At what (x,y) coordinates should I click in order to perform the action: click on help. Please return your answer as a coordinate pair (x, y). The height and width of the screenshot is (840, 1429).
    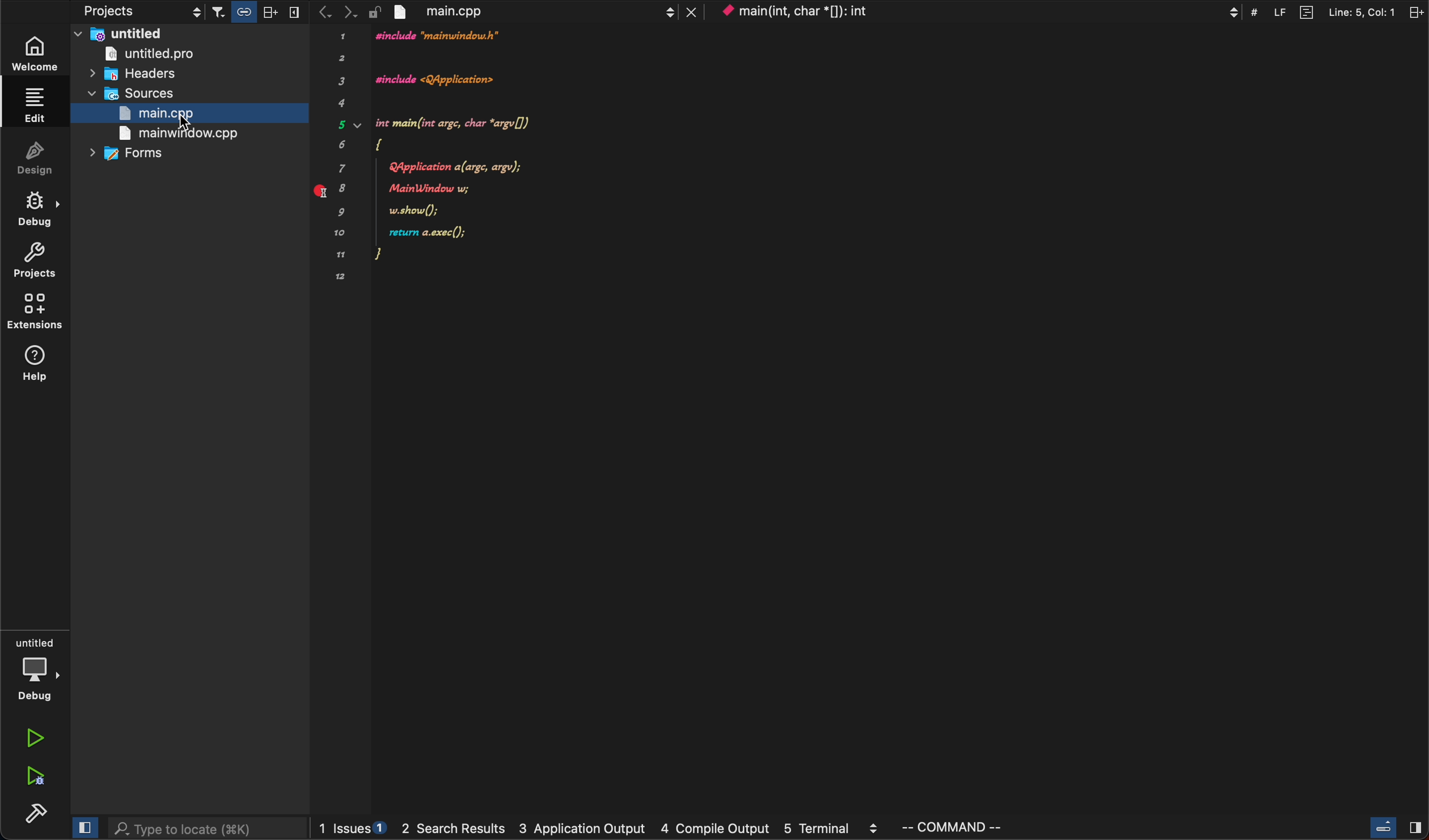
    Looking at the image, I should click on (34, 367).